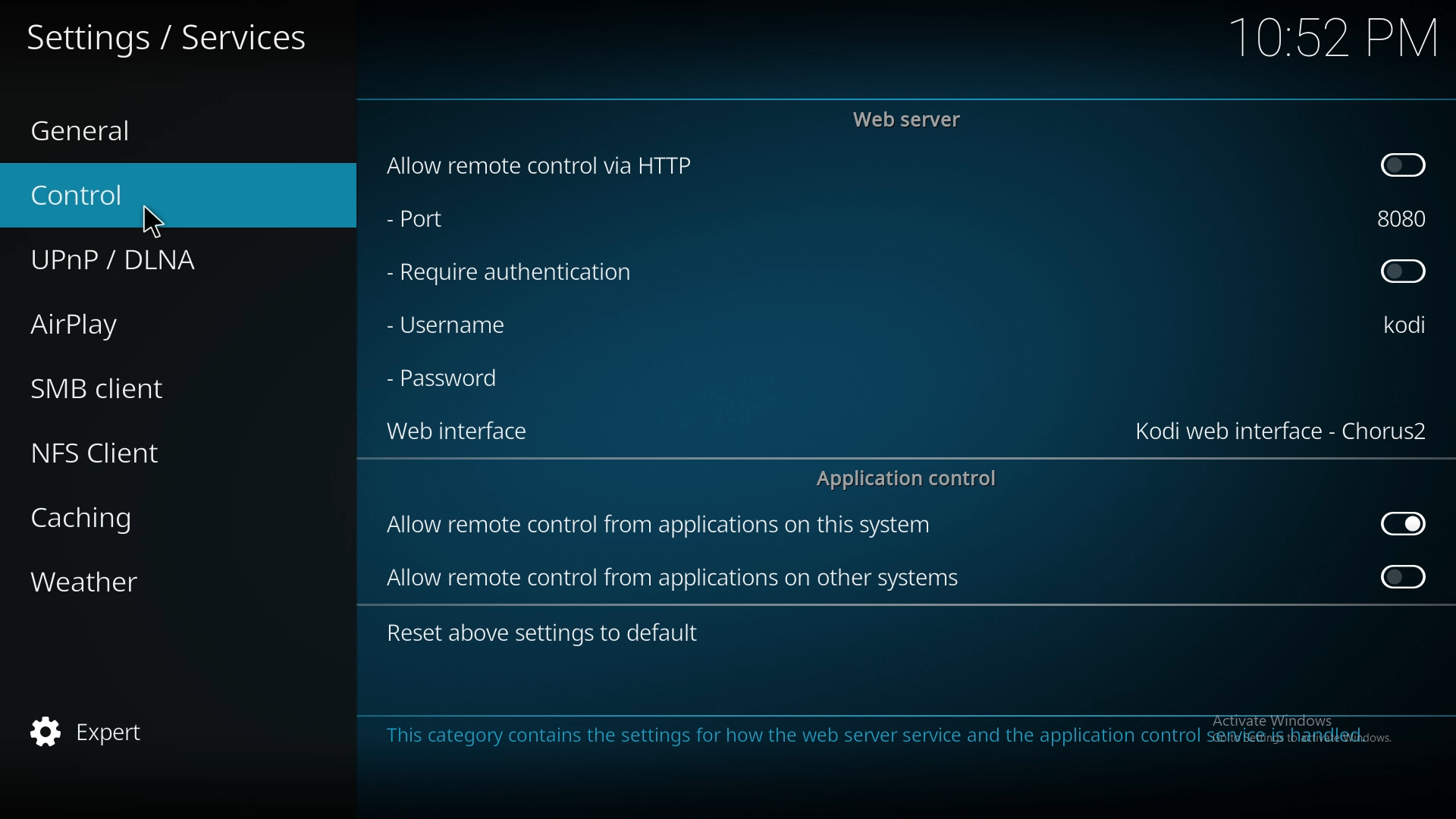 Image resolution: width=1456 pixels, height=819 pixels. What do you see at coordinates (153, 322) in the screenshot?
I see `airplay` at bounding box center [153, 322].